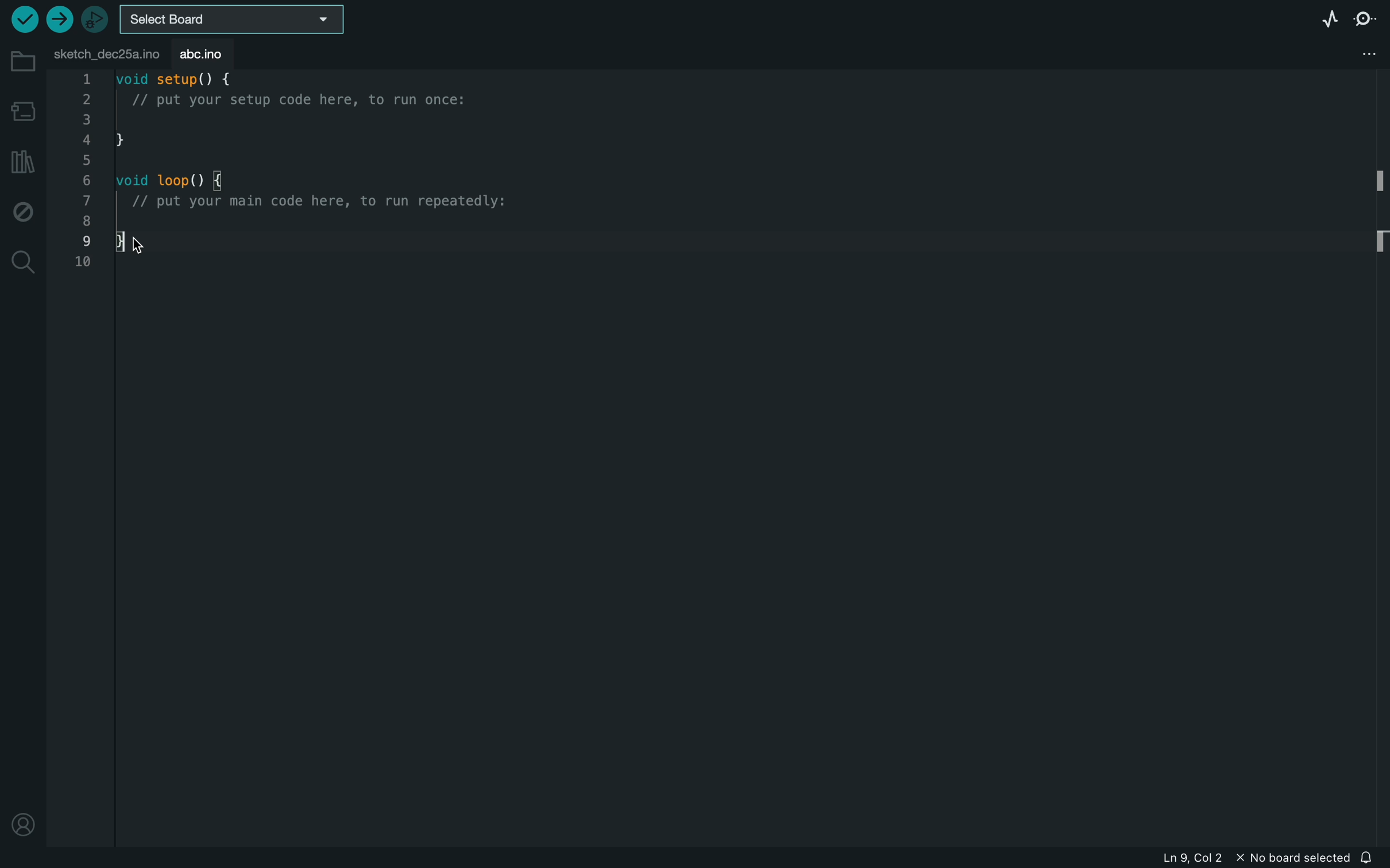  I want to click on library  manager, so click(23, 158).